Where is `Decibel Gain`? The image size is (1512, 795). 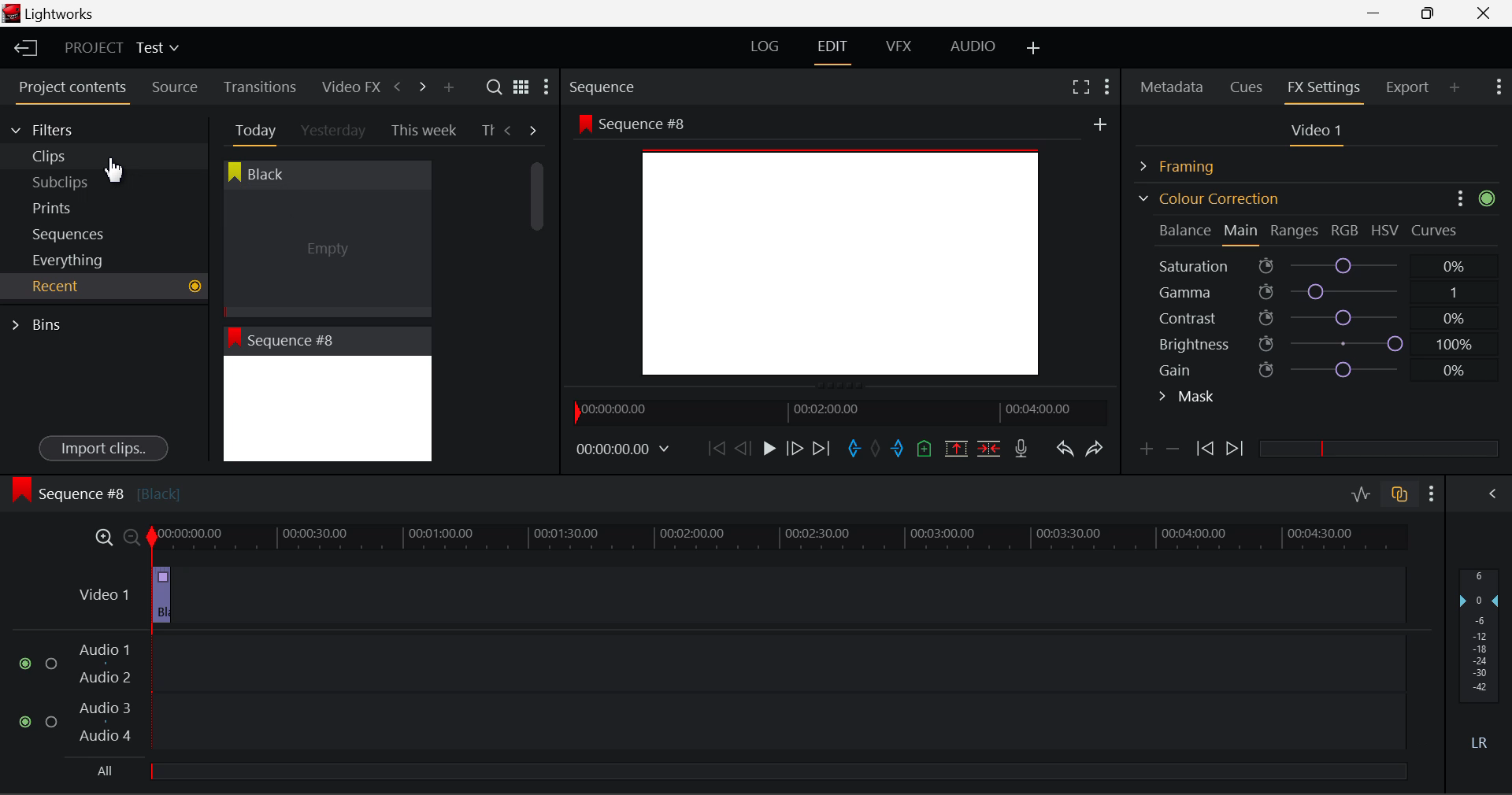 Decibel Gain is located at coordinates (1478, 663).